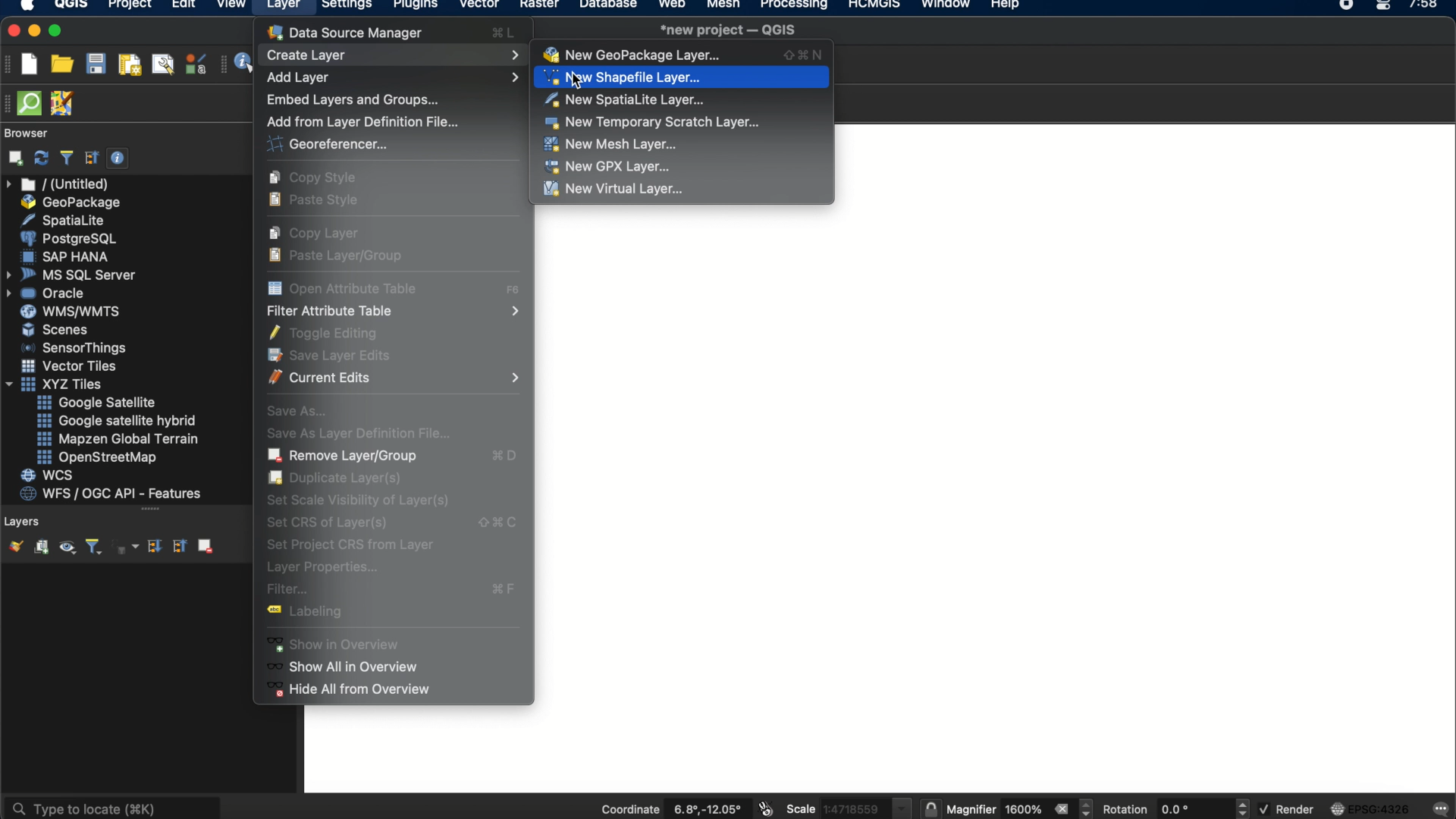  Describe the element at coordinates (34, 31) in the screenshot. I see `minimize` at that location.